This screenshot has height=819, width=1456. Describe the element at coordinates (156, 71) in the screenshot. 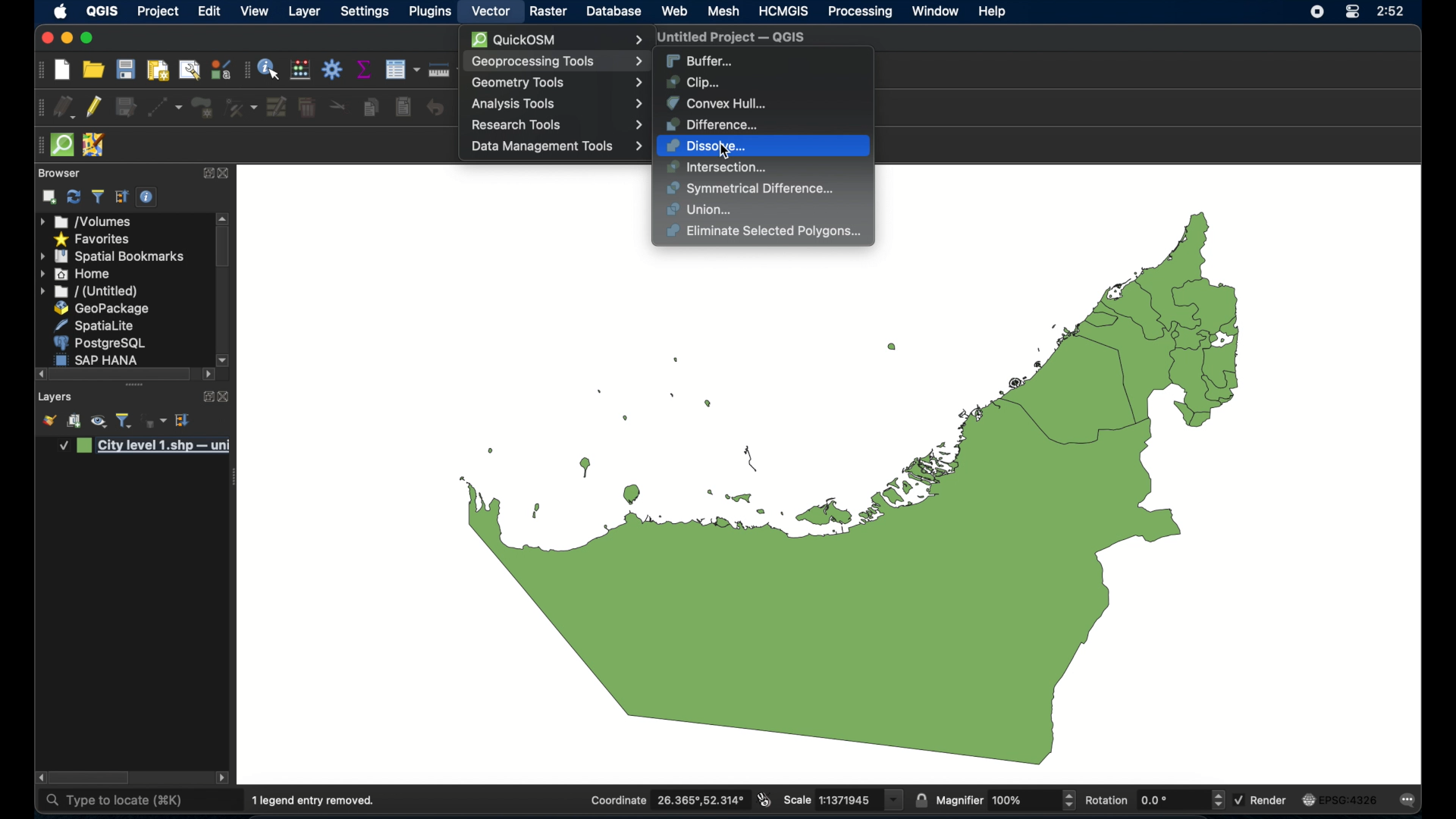

I see `print layout` at that location.